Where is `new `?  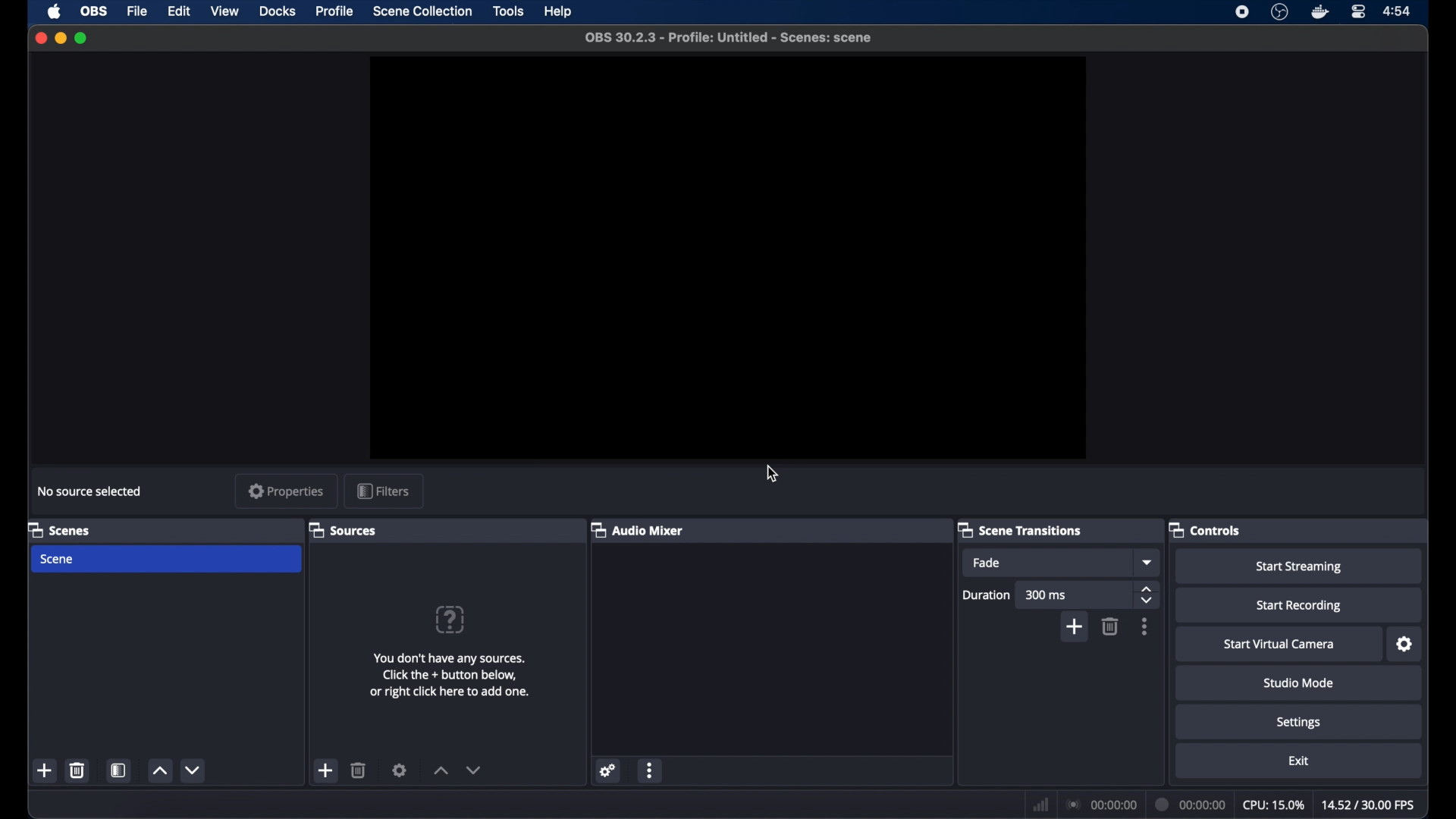
new  is located at coordinates (43, 770).